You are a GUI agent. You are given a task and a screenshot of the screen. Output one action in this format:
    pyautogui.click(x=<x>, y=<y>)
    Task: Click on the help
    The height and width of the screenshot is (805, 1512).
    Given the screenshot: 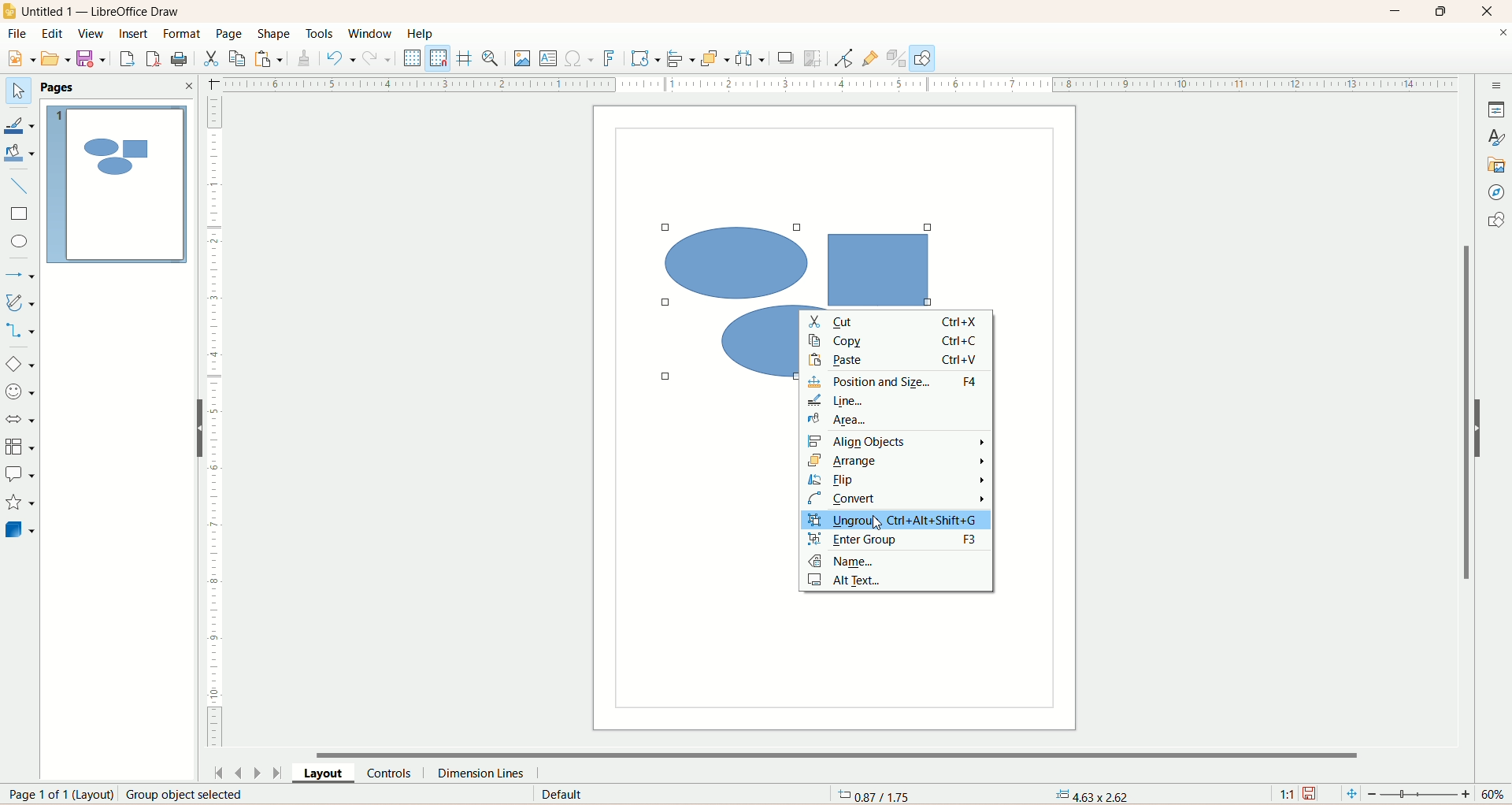 What is the action you would take?
    pyautogui.click(x=421, y=33)
    